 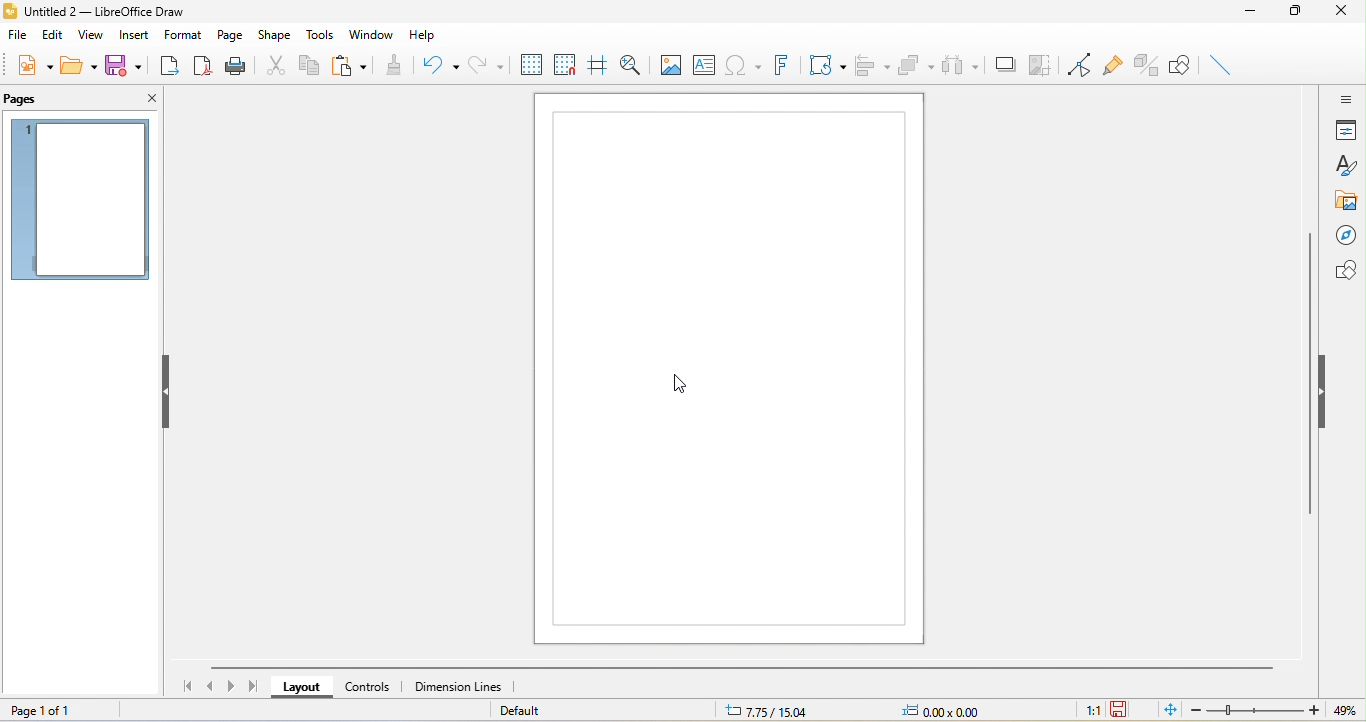 What do you see at coordinates (1004, 65) in the screenshot?
I see `shadow` at bounding box center [1004, 65].